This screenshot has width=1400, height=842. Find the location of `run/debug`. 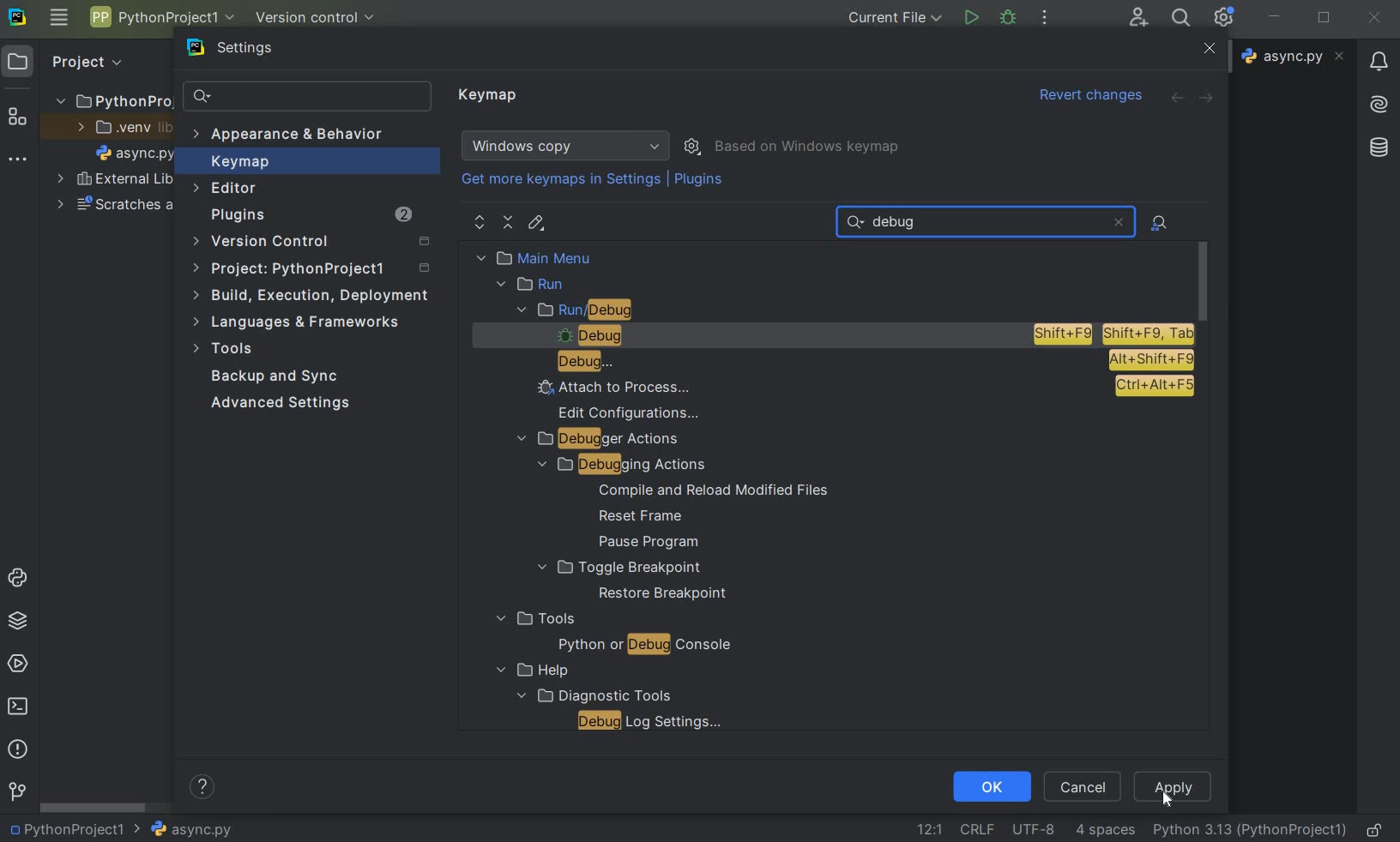

run/debug is located at coordinates (609, 311).